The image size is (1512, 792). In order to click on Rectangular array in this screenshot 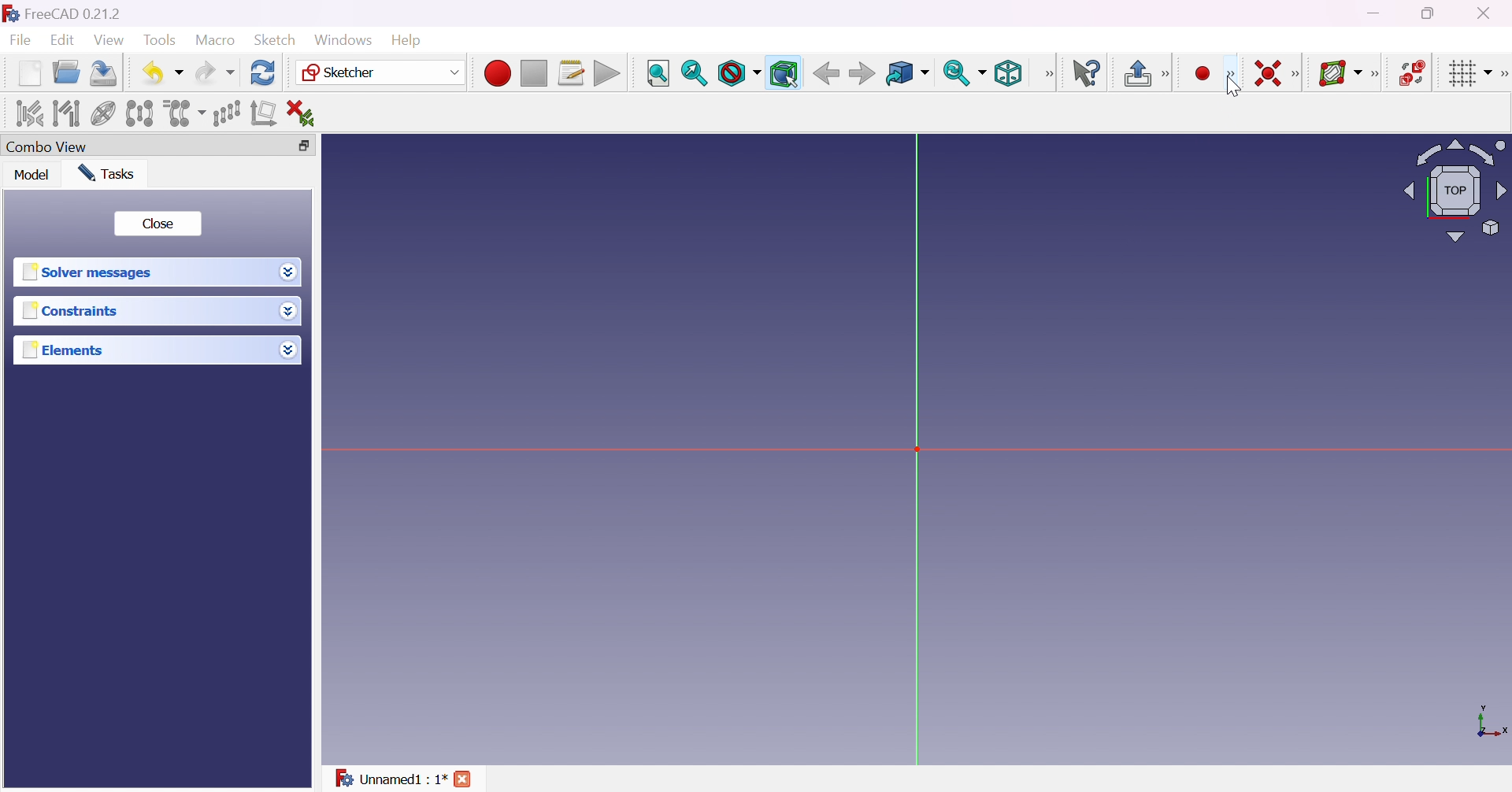, I will do `click(226, 112)`.